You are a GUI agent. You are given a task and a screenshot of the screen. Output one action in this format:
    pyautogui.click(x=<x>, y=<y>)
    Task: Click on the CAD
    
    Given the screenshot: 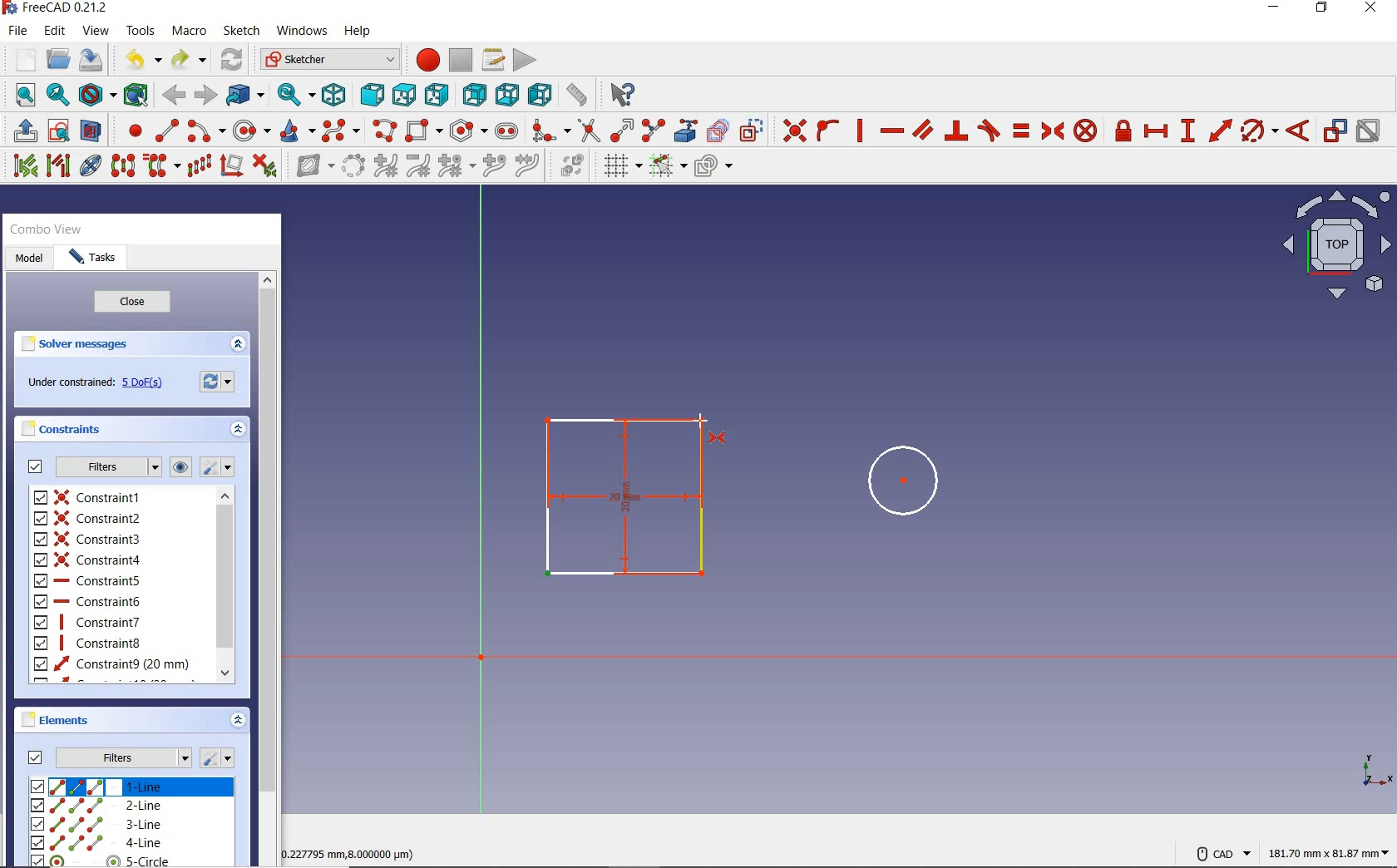 What is the action you would take?
    pyautogui.click(x=1219, y=853)
    